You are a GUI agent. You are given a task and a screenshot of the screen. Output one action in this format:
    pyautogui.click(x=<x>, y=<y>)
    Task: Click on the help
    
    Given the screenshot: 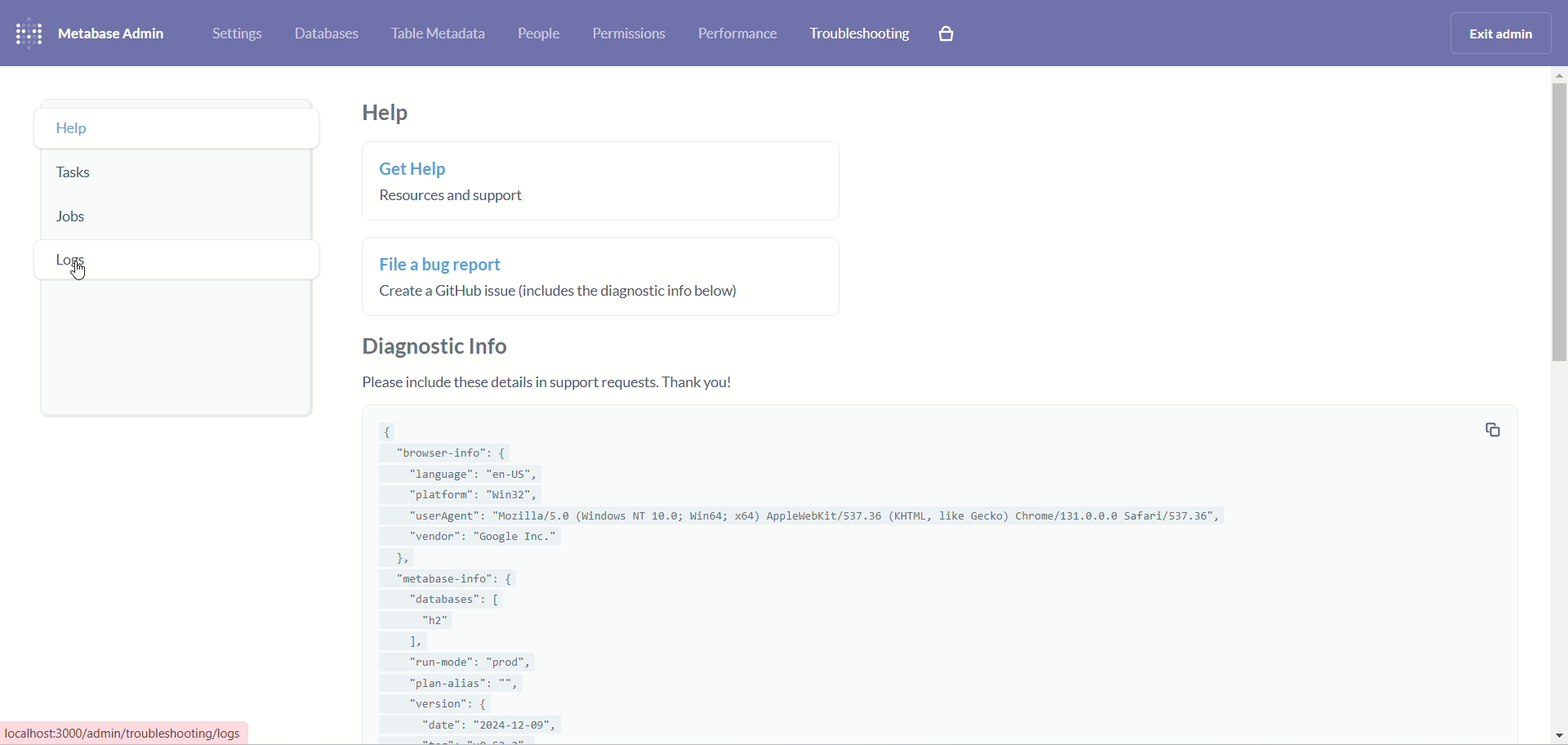 What is the action you would take?
    pyautogui.click(x=385, y=113)
    